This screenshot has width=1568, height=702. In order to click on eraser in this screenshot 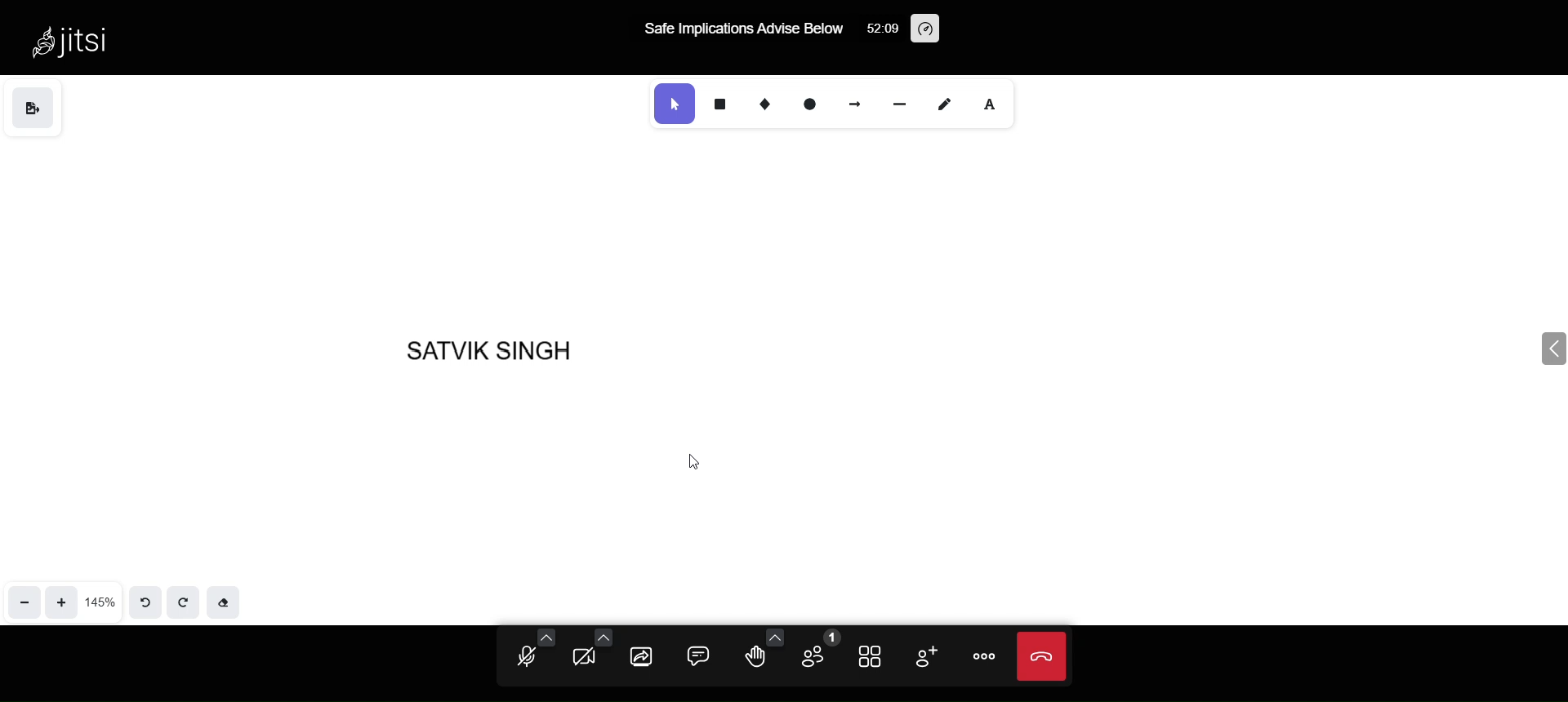, I will do `click(229, 602)`.